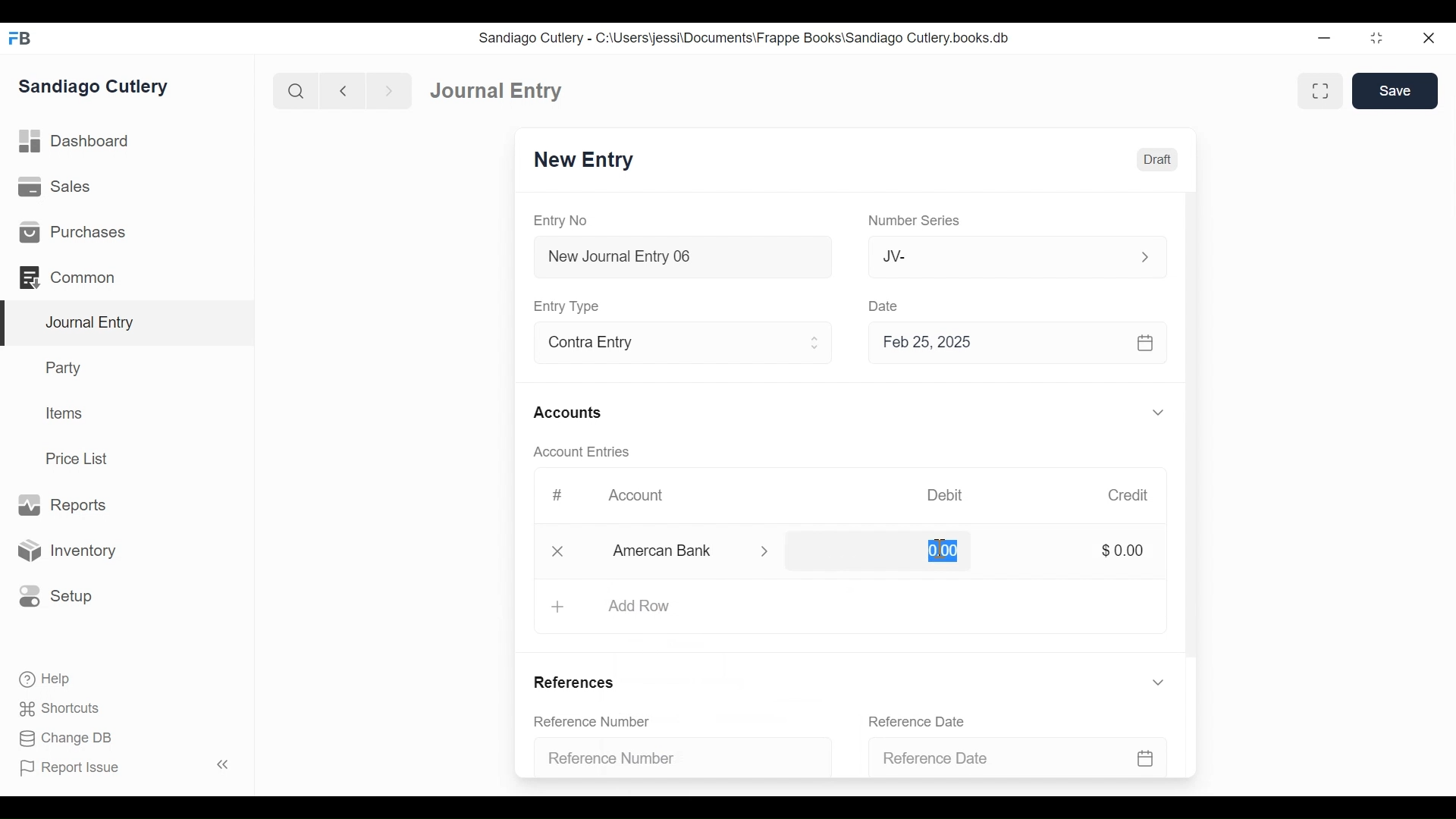  Describe the element at coordinates (924, 721) in the screenshot. I see `Reference Date` at that location.